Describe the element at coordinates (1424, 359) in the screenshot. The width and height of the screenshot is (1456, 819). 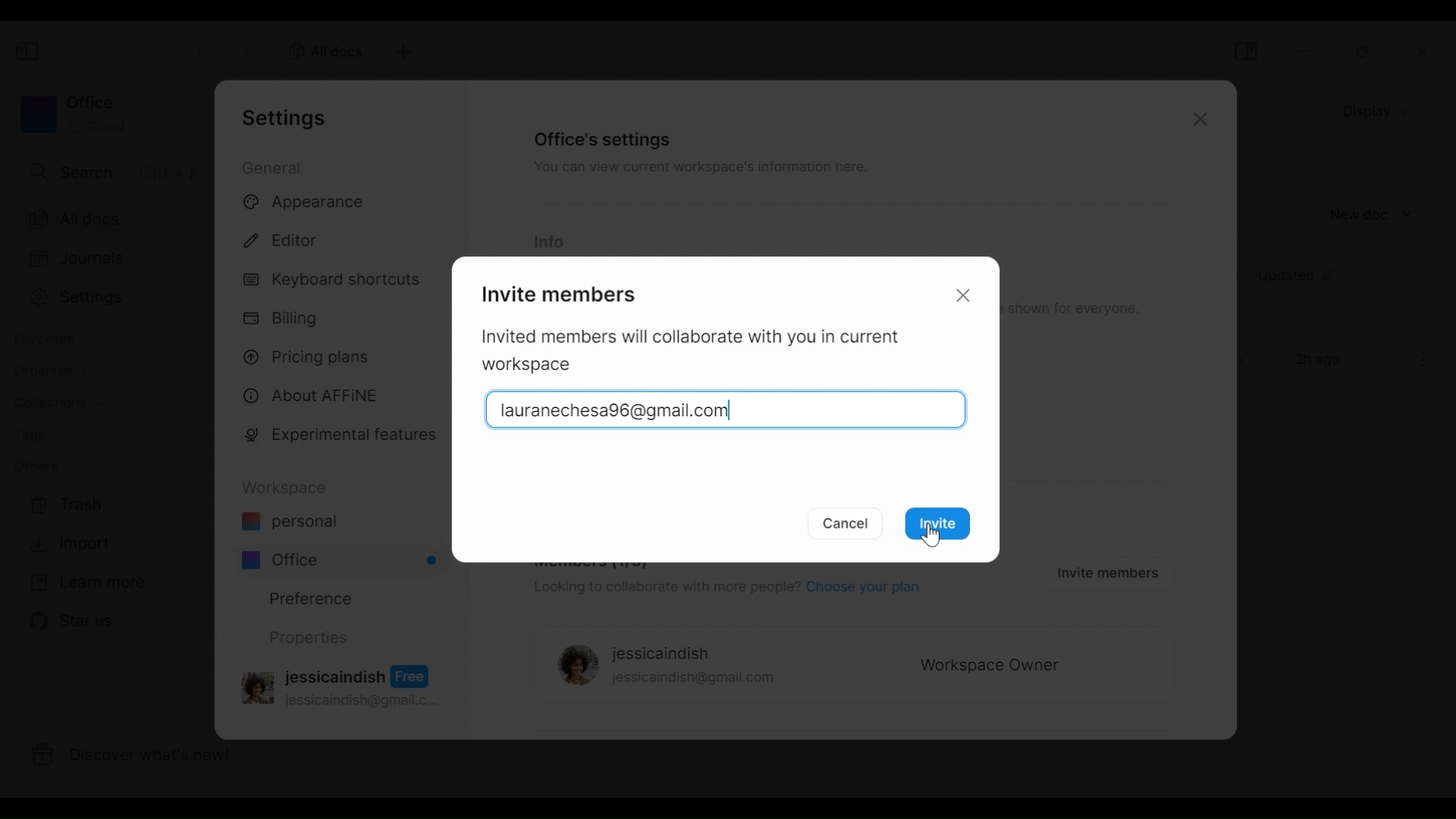
I see `More options` at that location.